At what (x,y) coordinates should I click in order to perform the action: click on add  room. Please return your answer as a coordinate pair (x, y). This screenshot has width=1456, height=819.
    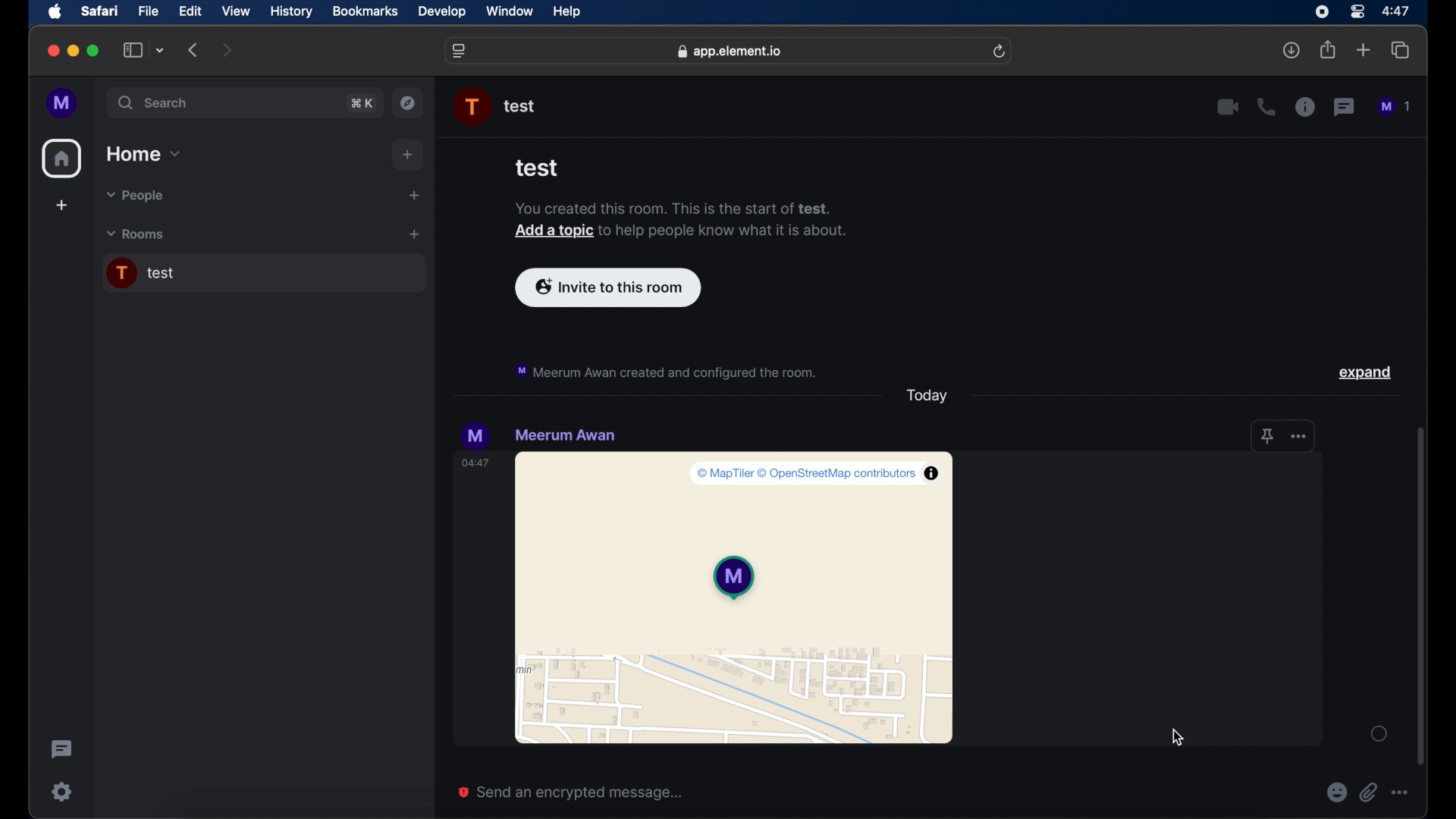
    Looking at the image, I should click on (414, 234).